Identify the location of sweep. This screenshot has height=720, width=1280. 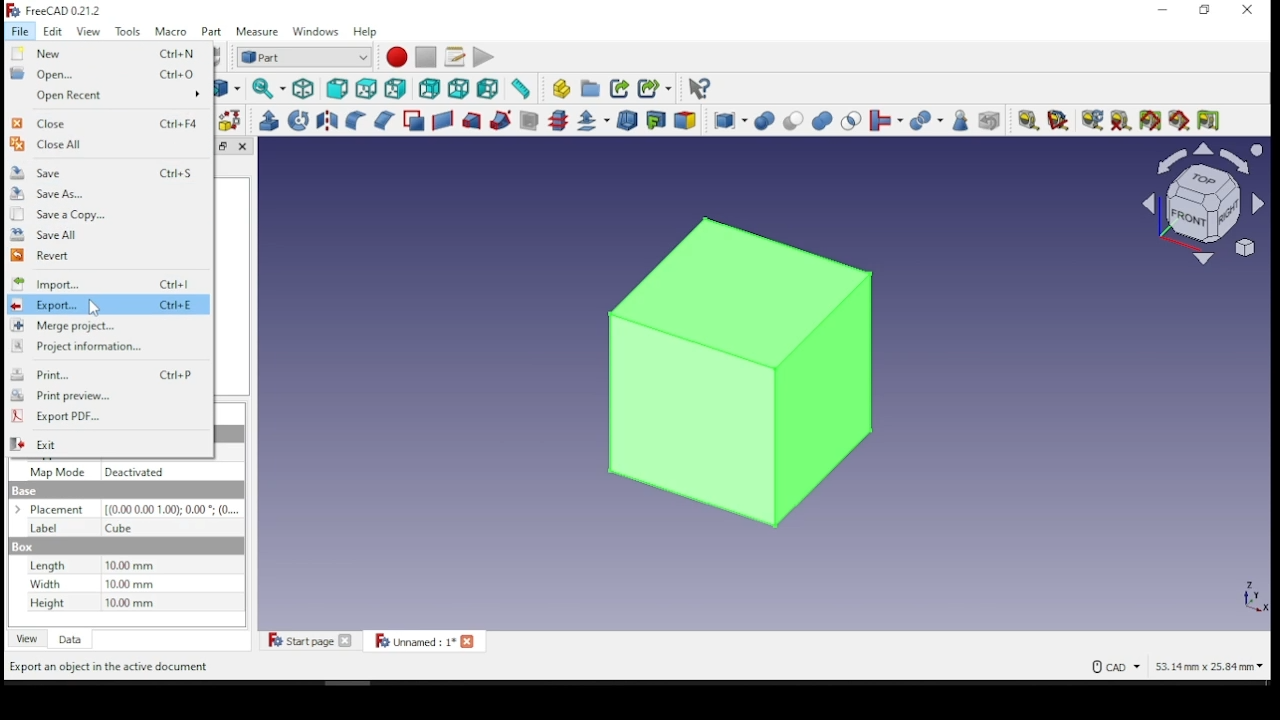
(502, 120).